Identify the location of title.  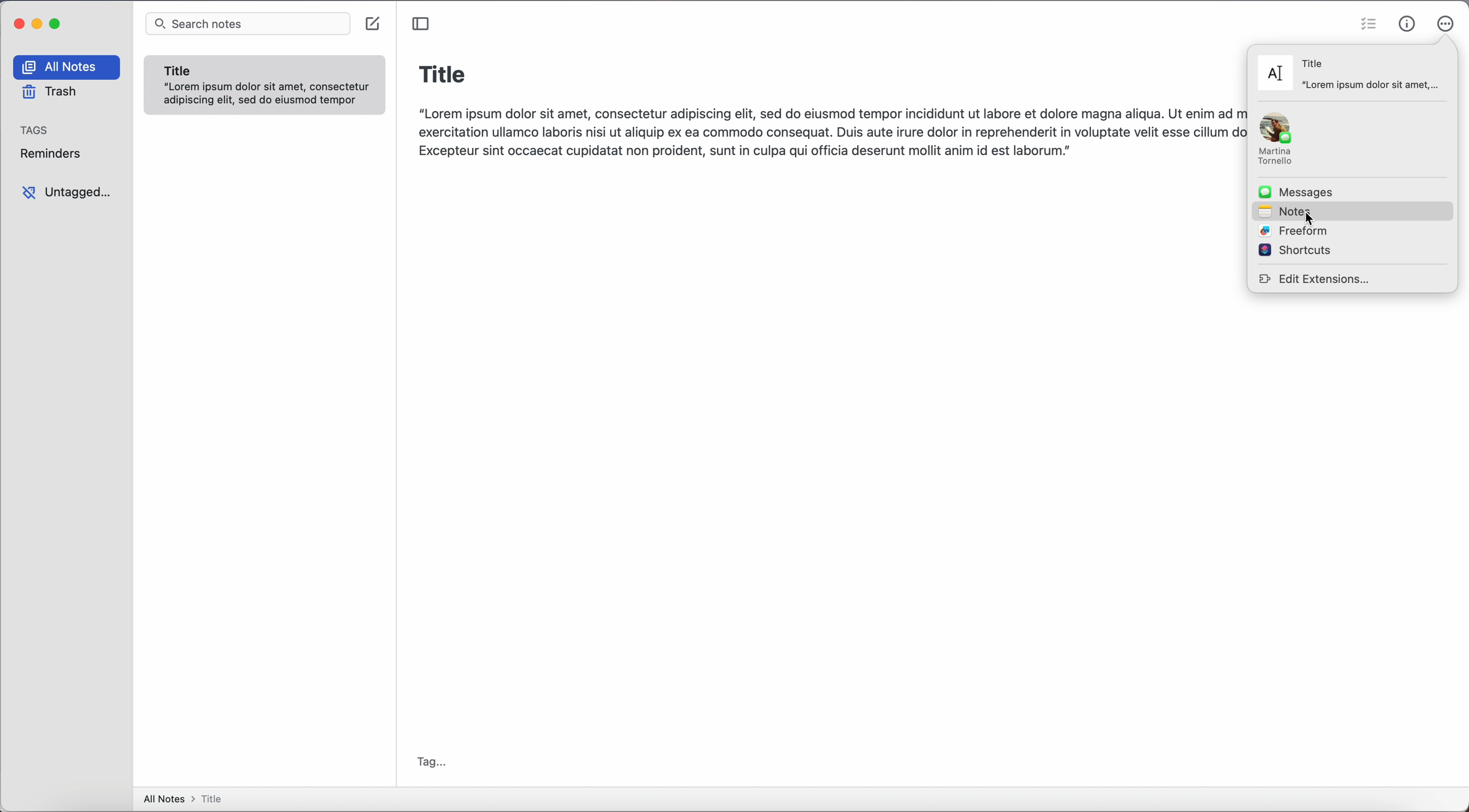
(443, 72).